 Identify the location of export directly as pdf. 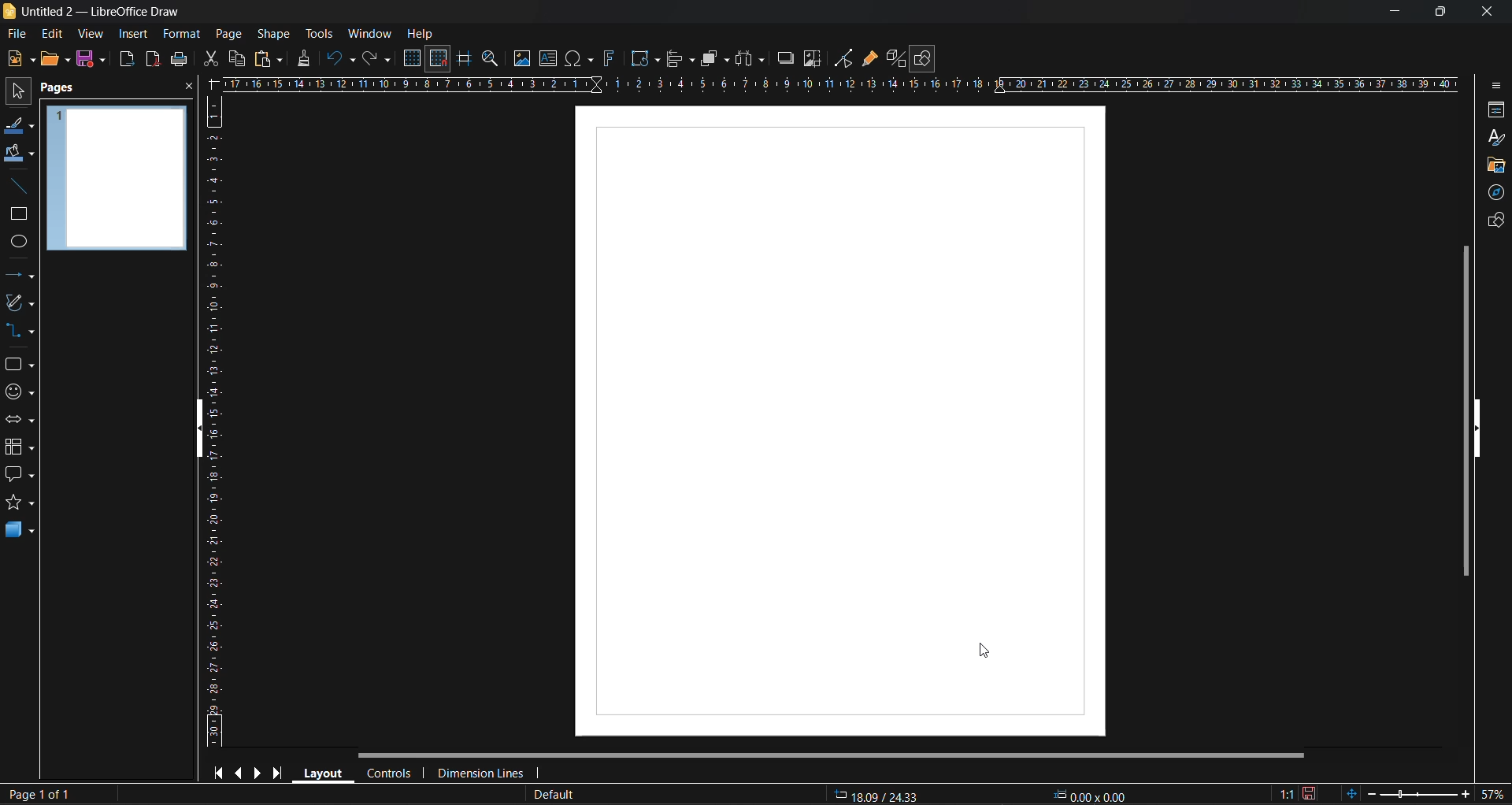
(152, 59).